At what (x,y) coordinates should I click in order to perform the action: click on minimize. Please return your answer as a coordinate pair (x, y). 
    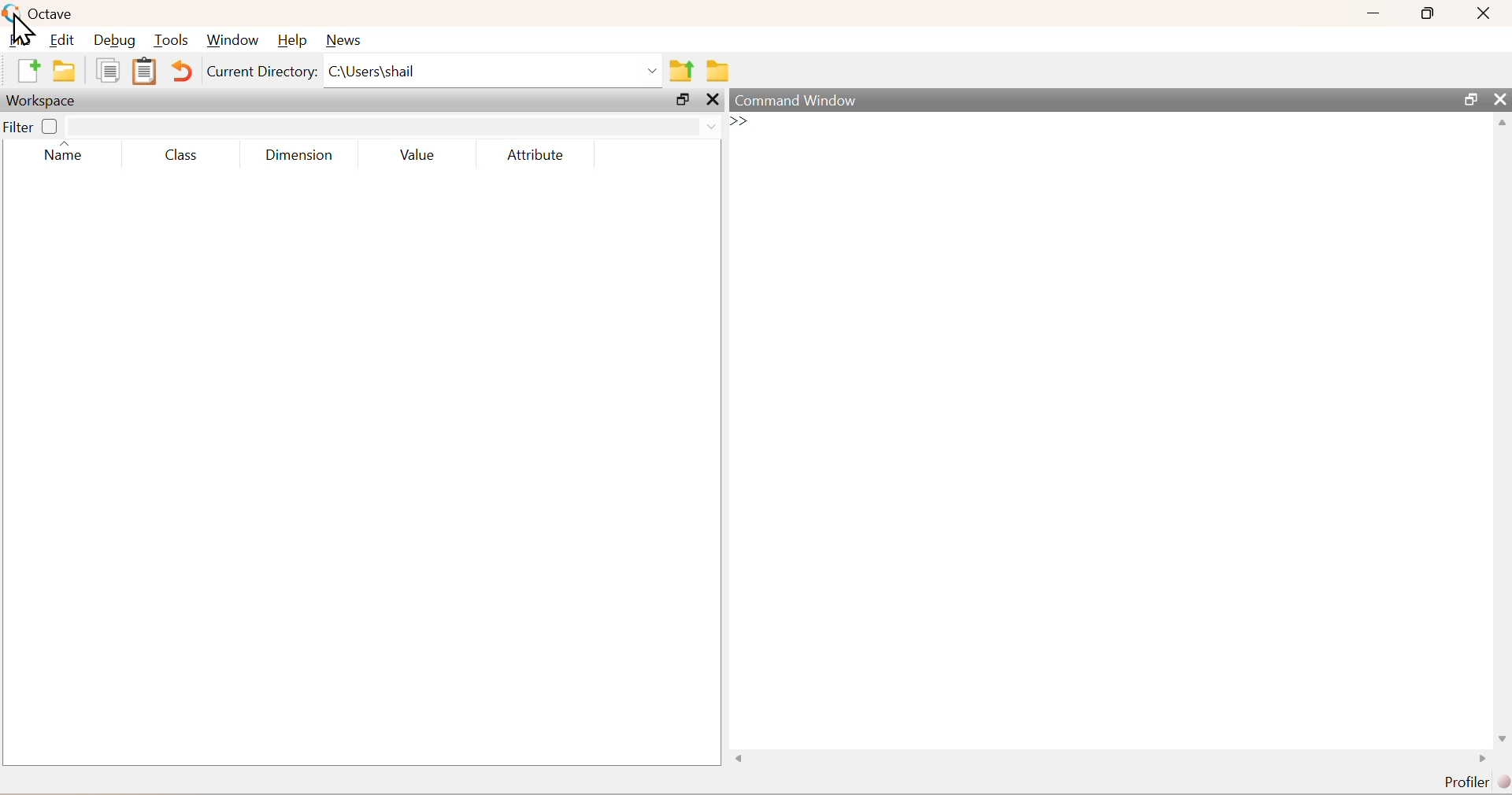
    Looking at the image, I should click on (1373, 15).